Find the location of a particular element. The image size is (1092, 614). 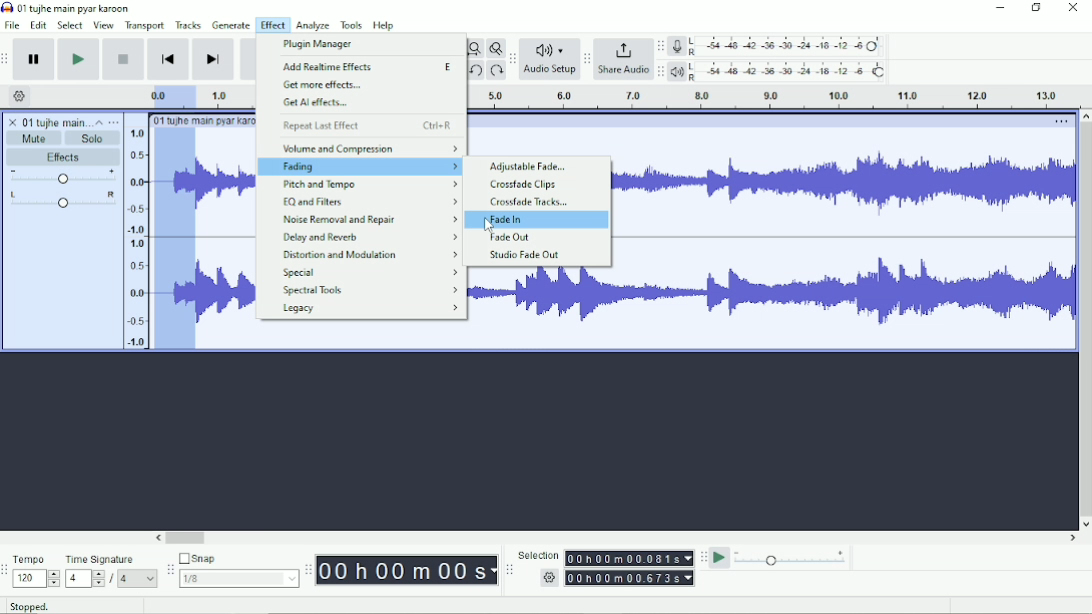

Audacity recording meter toolbar is located at coordinates (660, 47).